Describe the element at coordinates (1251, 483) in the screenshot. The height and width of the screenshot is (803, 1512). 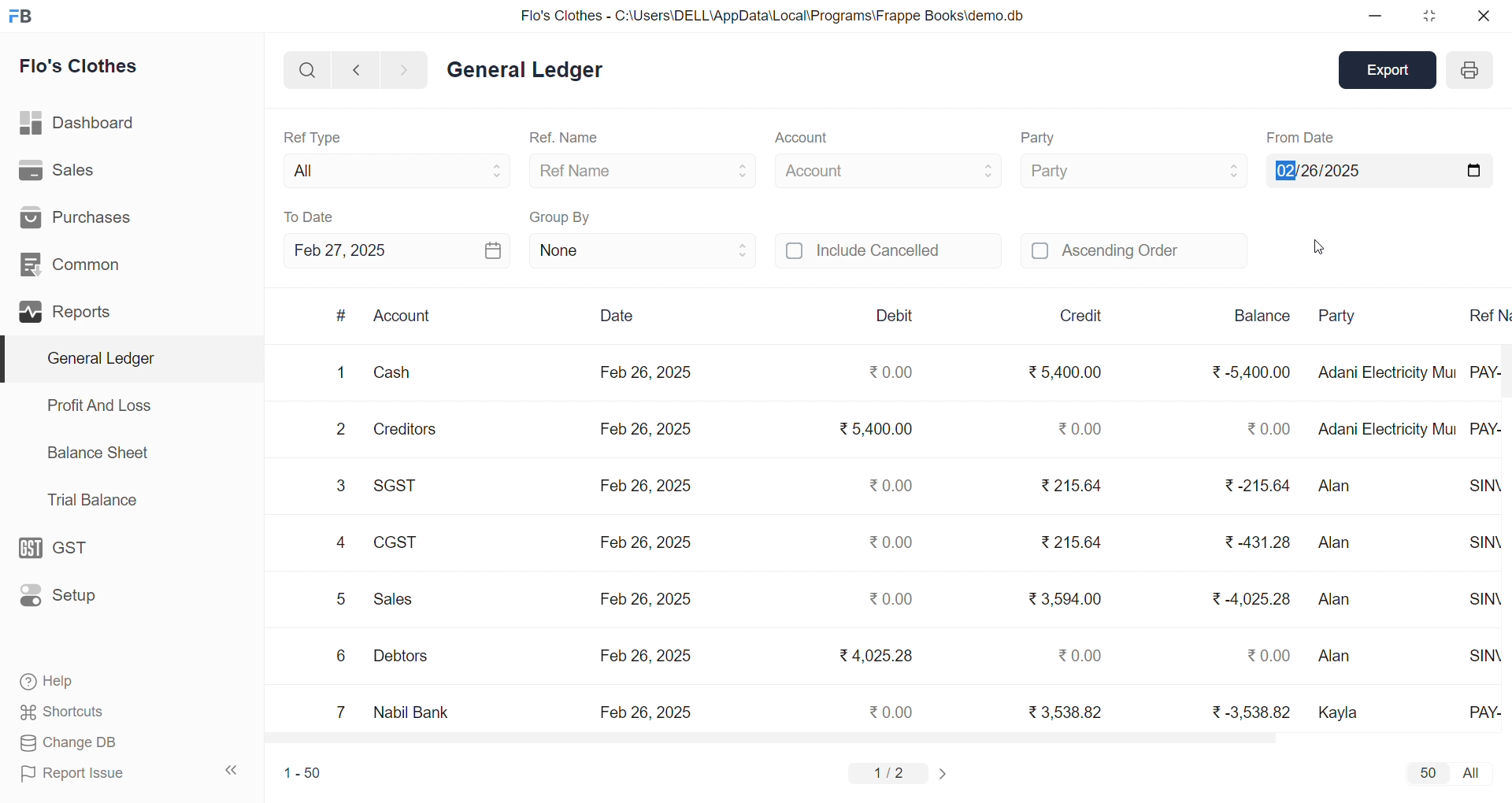
I see `₹-215.64` at that location.